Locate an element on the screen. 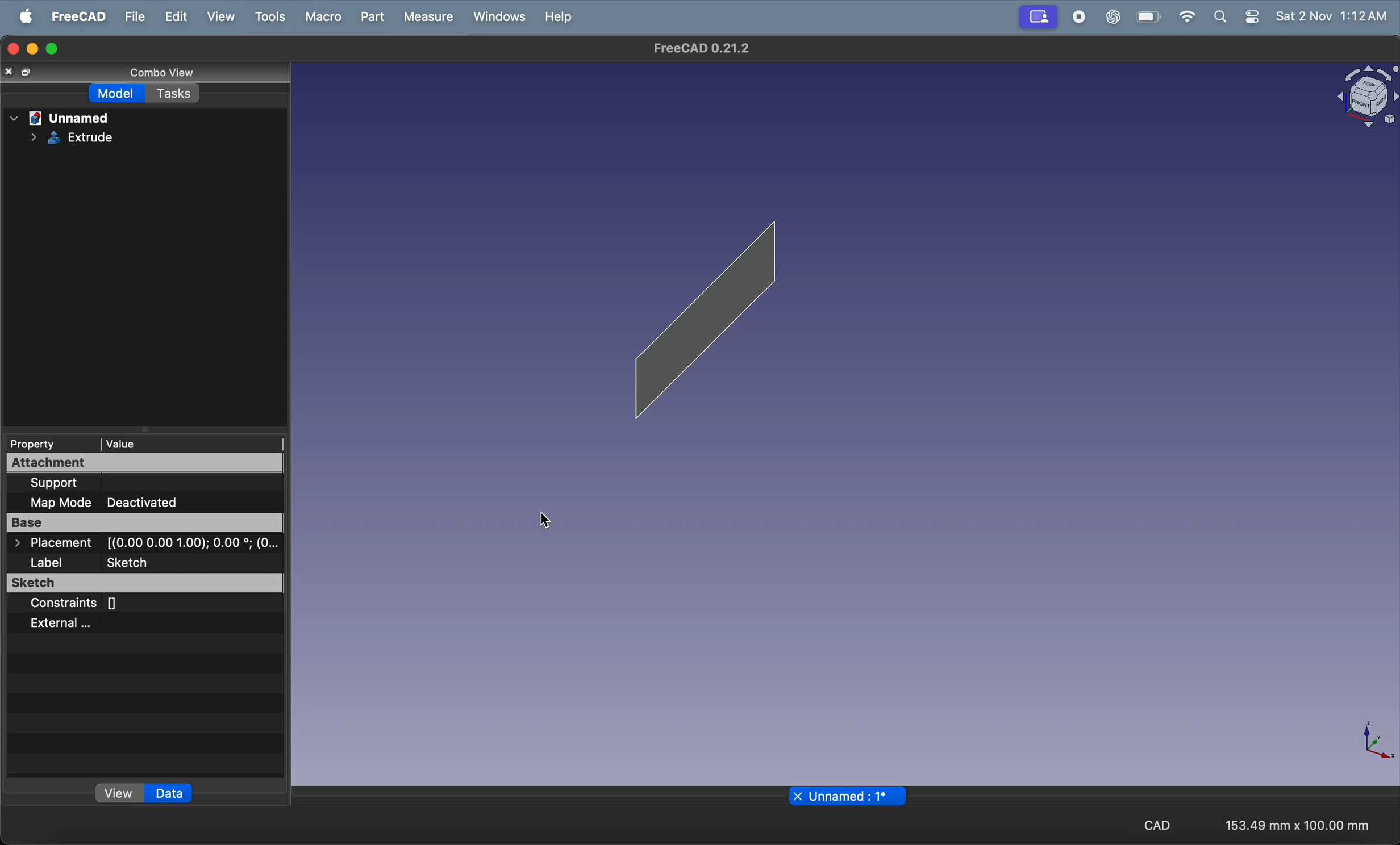  Base is located at coordinates (142, 522).